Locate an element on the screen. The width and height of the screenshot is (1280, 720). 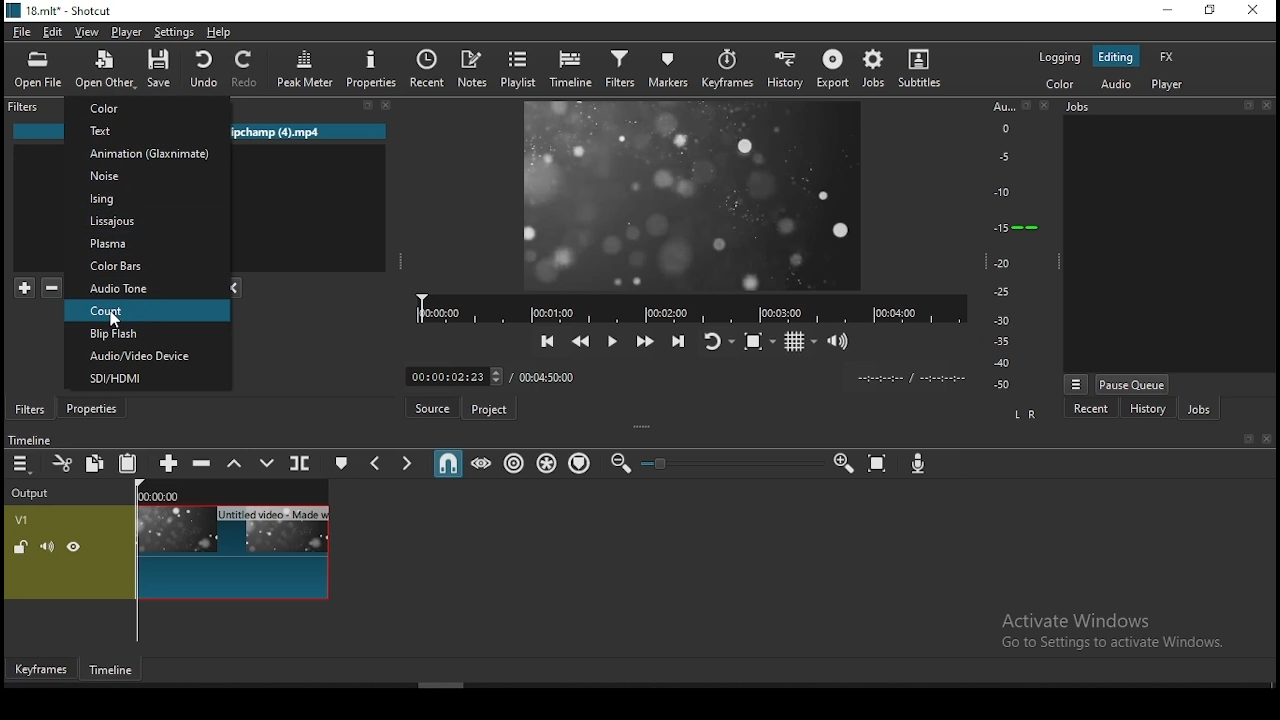
copy is located at coordinates (99, 465).